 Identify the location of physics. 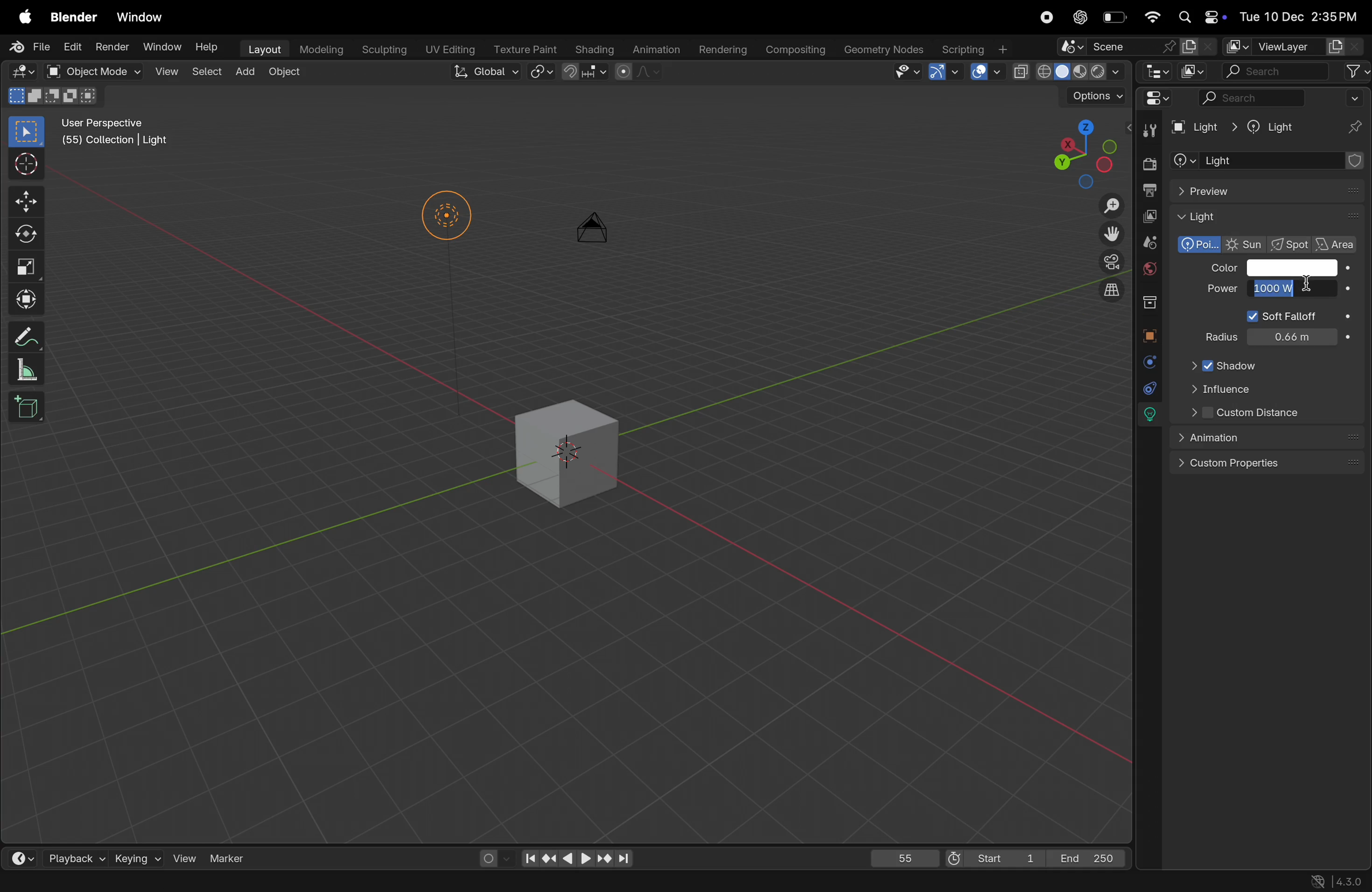
(1146, 362).